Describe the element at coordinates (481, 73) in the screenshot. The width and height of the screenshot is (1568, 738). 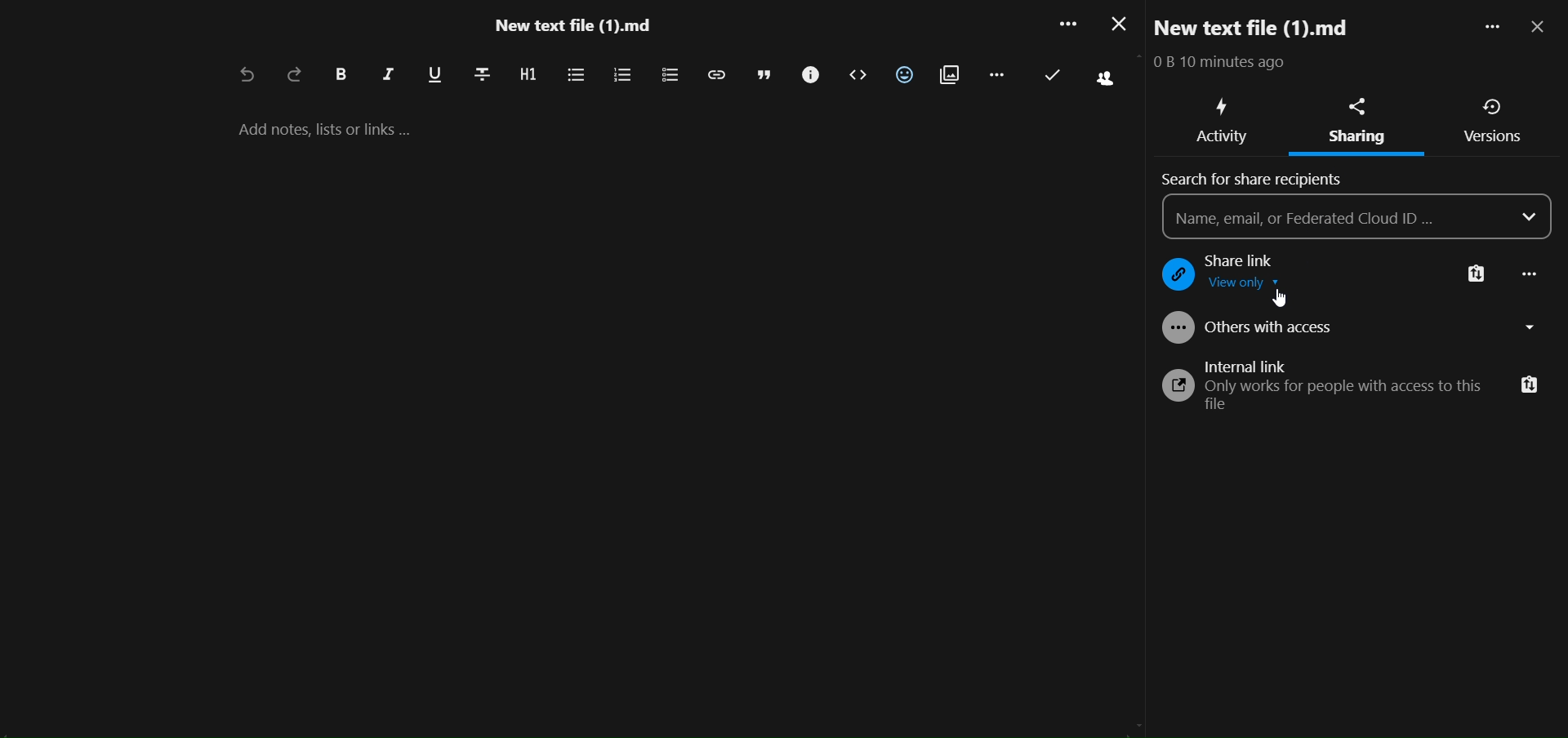
I see `strikethrough` at that location.